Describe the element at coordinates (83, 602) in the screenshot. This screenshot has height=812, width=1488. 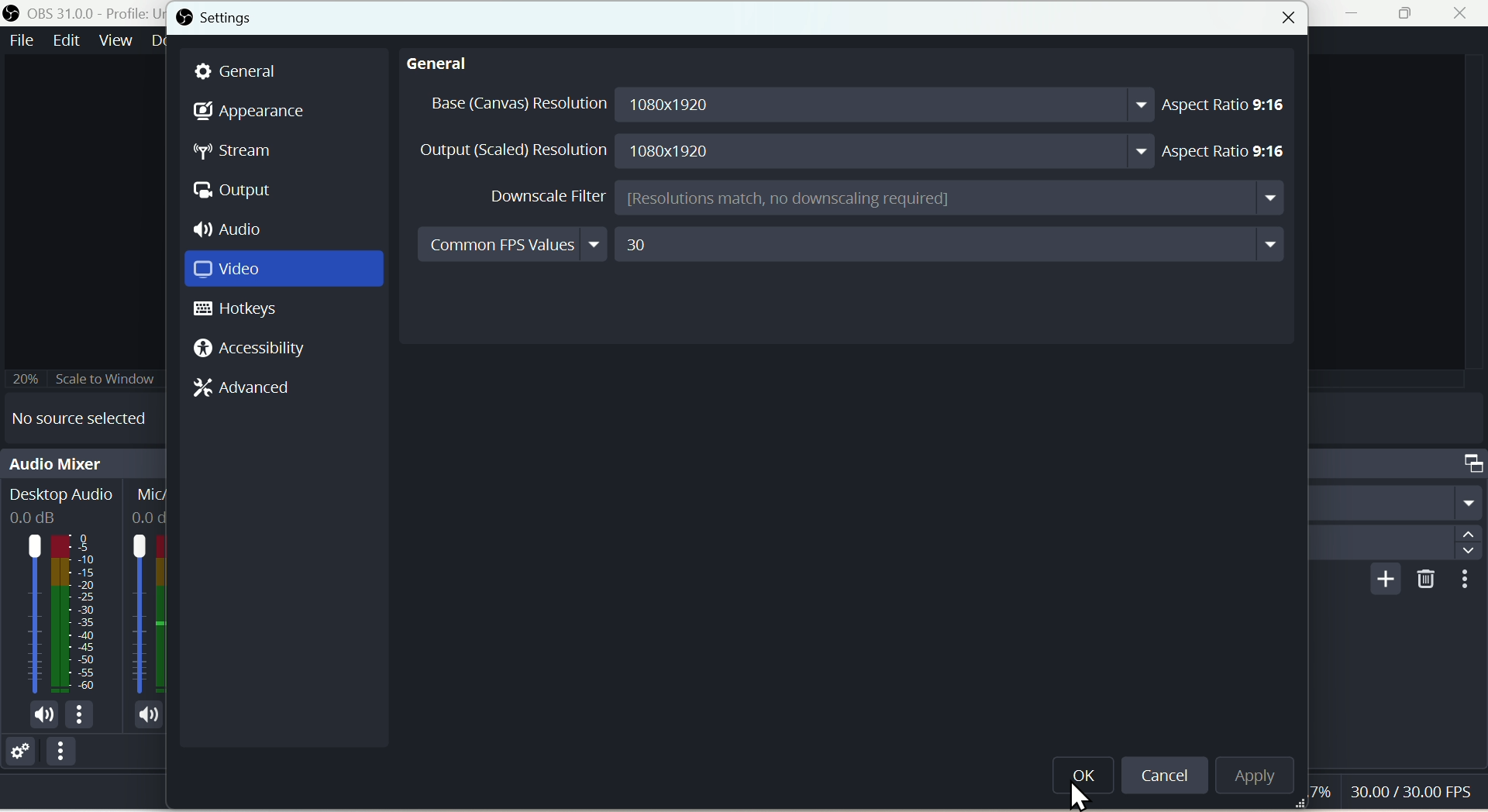
I see `Audio bar` at that location.